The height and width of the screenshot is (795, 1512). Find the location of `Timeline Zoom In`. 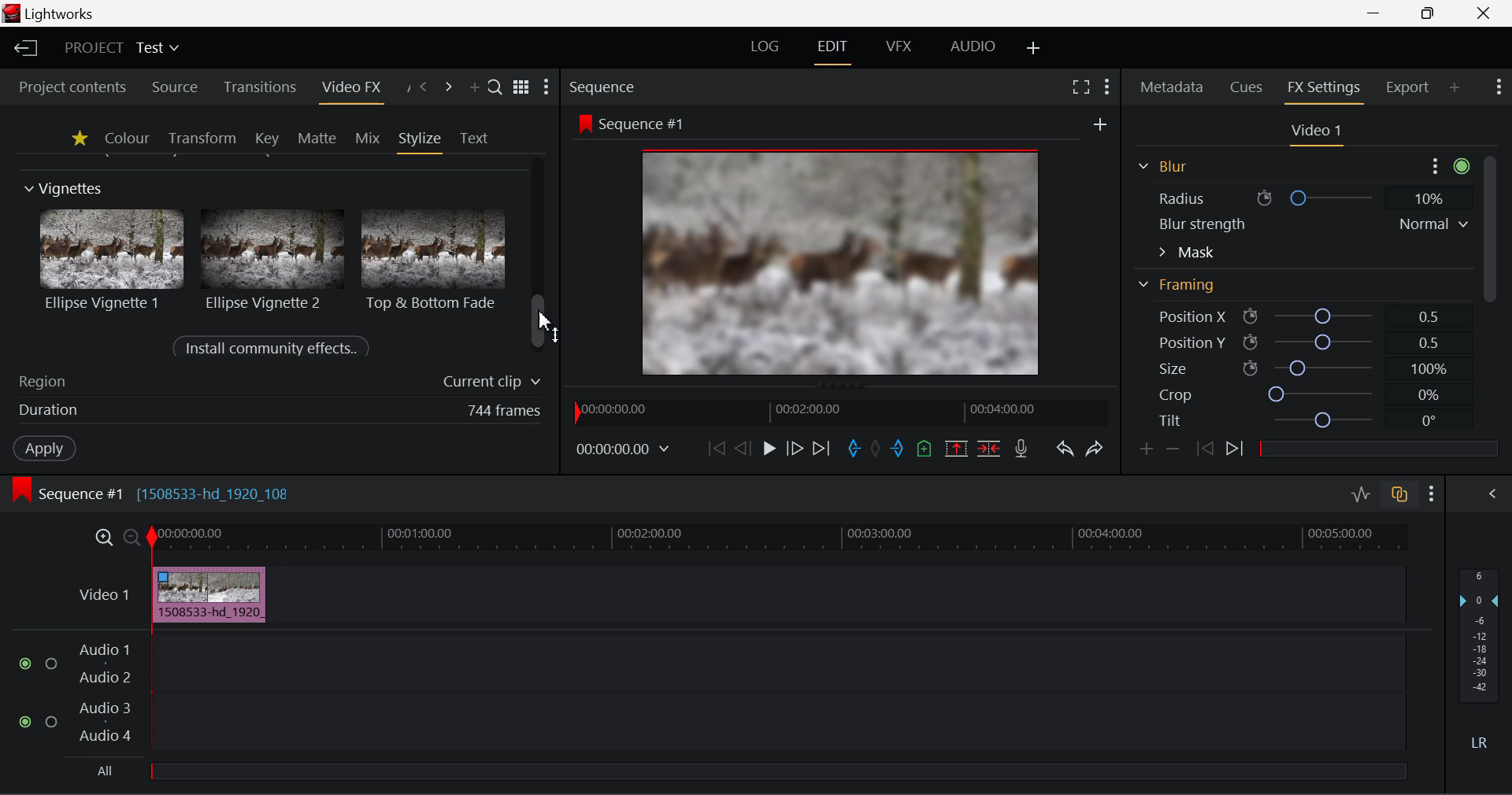

Timeline Zoom In is located at coordinates (103, 538).